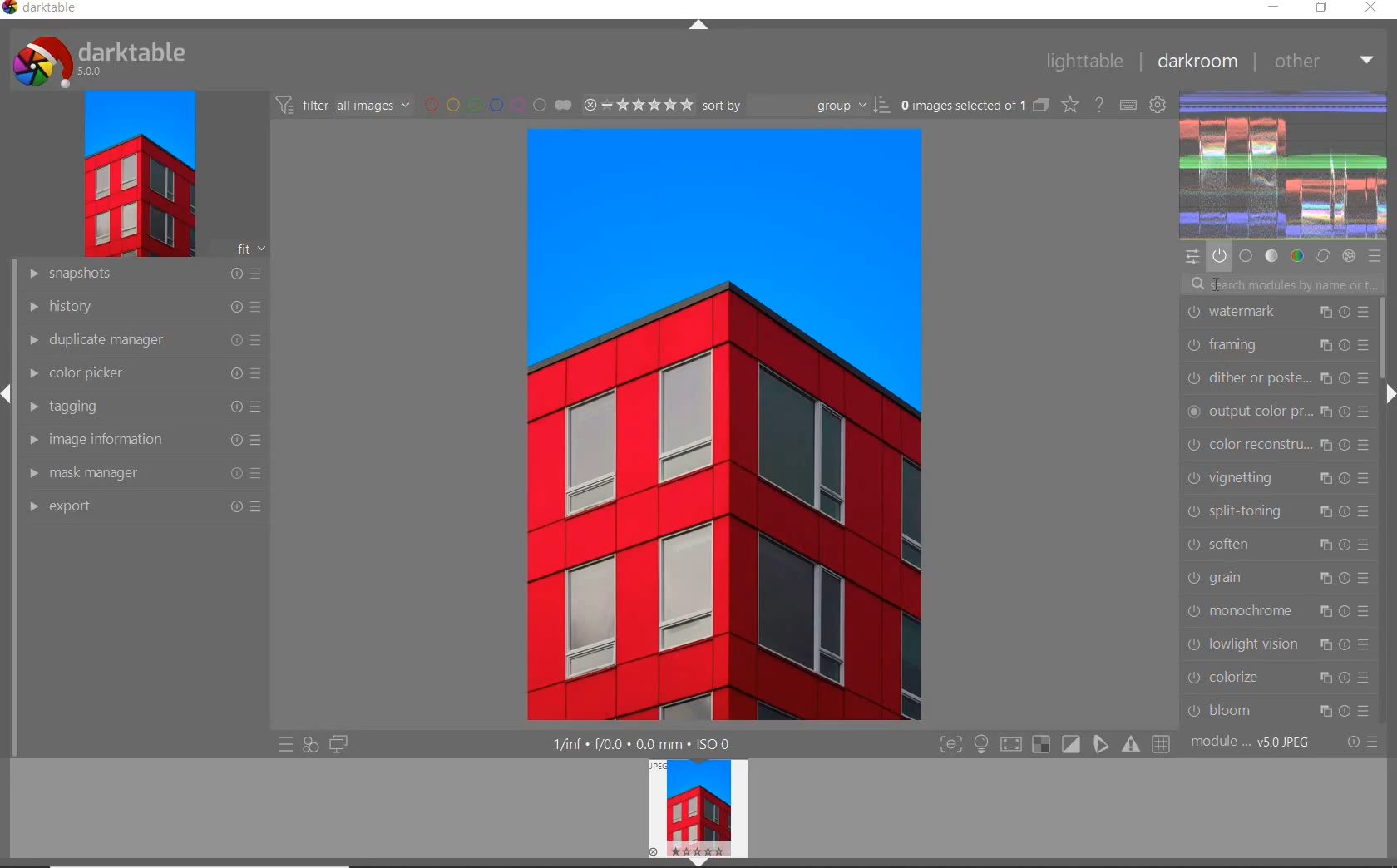 The height and width of the screenshot is (868, 1397). What do you see at coordinates (1389, 393) in the screenshot?
I see `expand/collapse` at bounding box center [1389, 393].